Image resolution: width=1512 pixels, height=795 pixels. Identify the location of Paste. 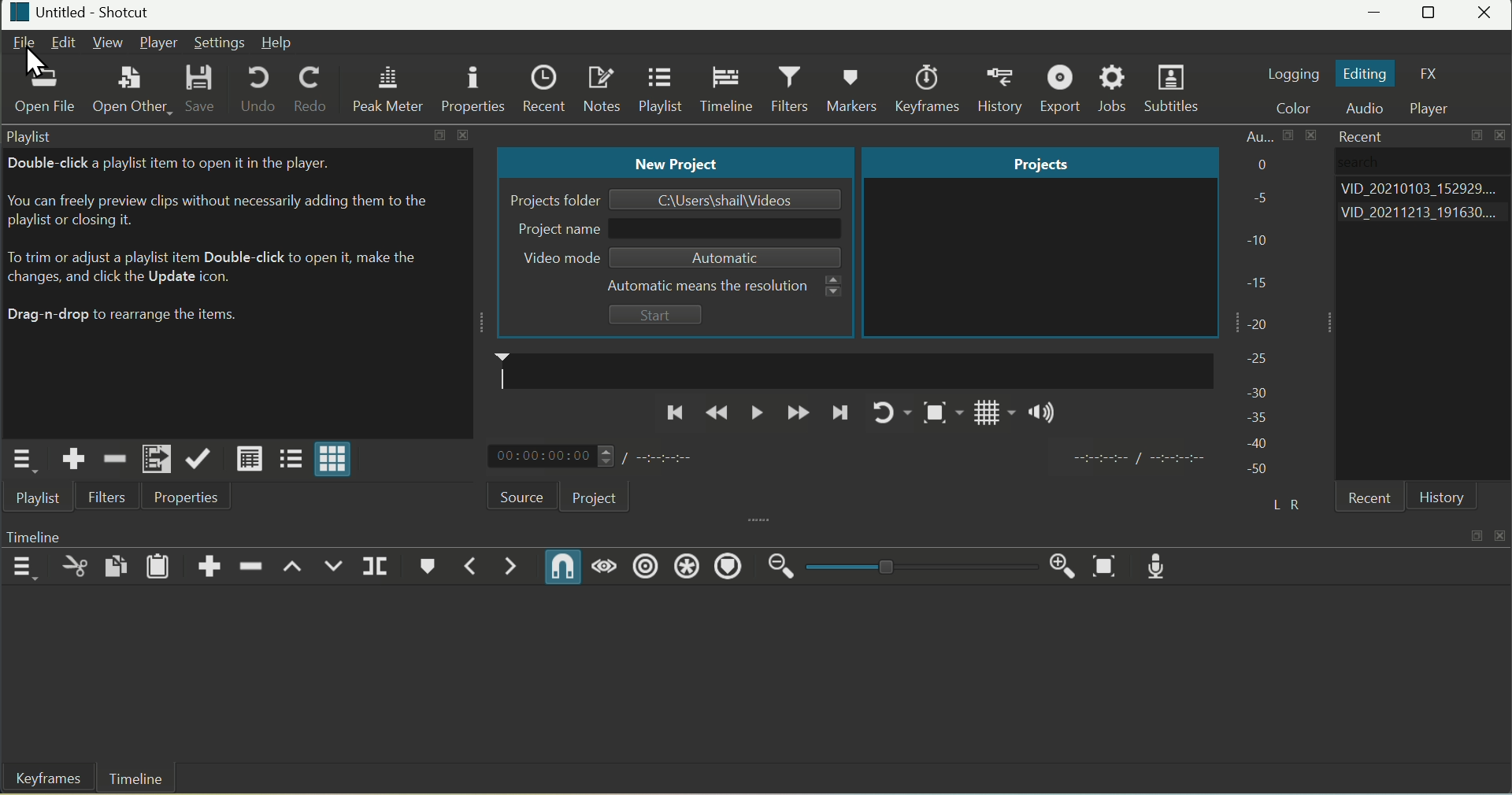
(159, 565).